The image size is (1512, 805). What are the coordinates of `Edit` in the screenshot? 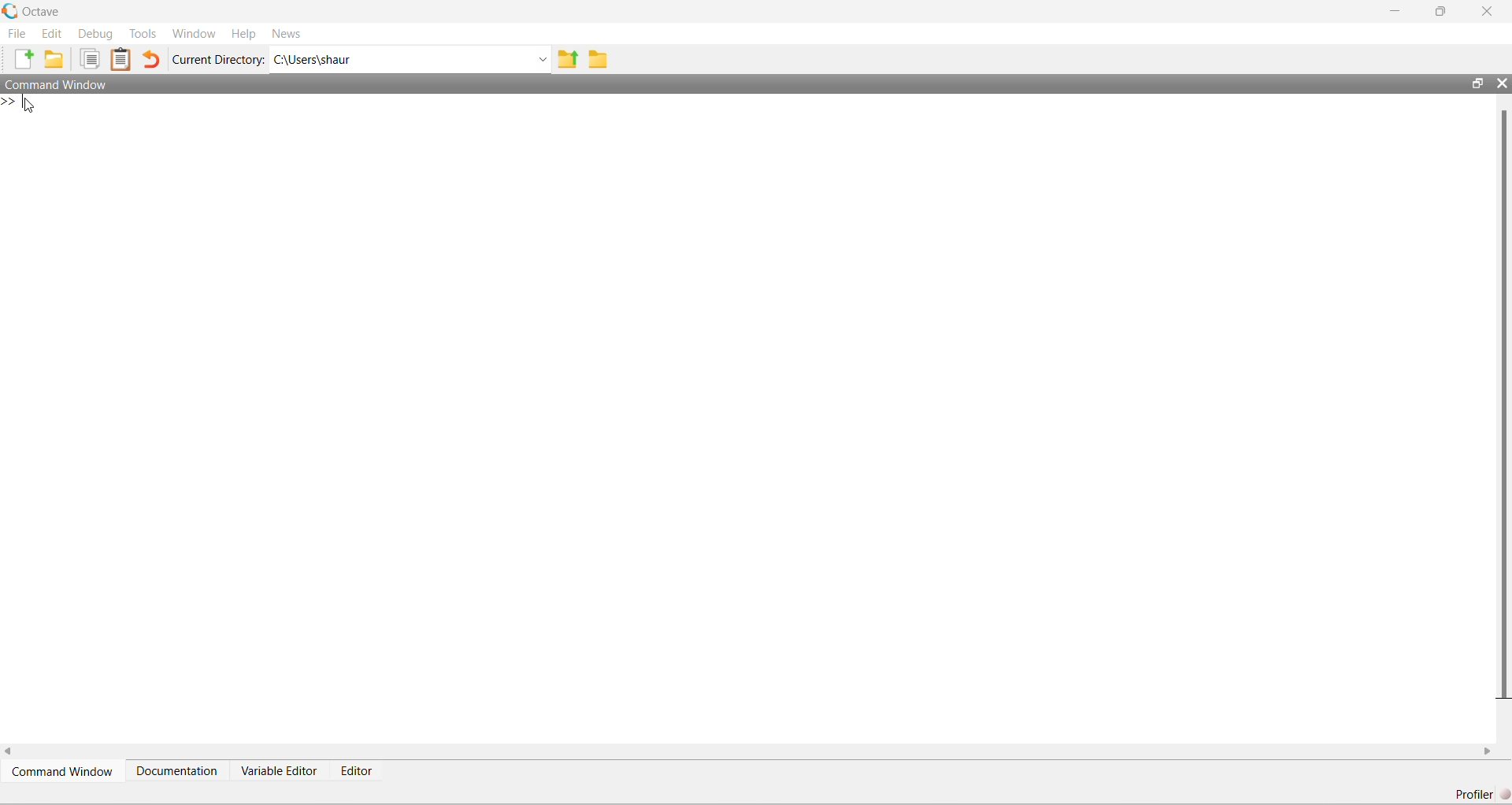 It's located at (50, 34).